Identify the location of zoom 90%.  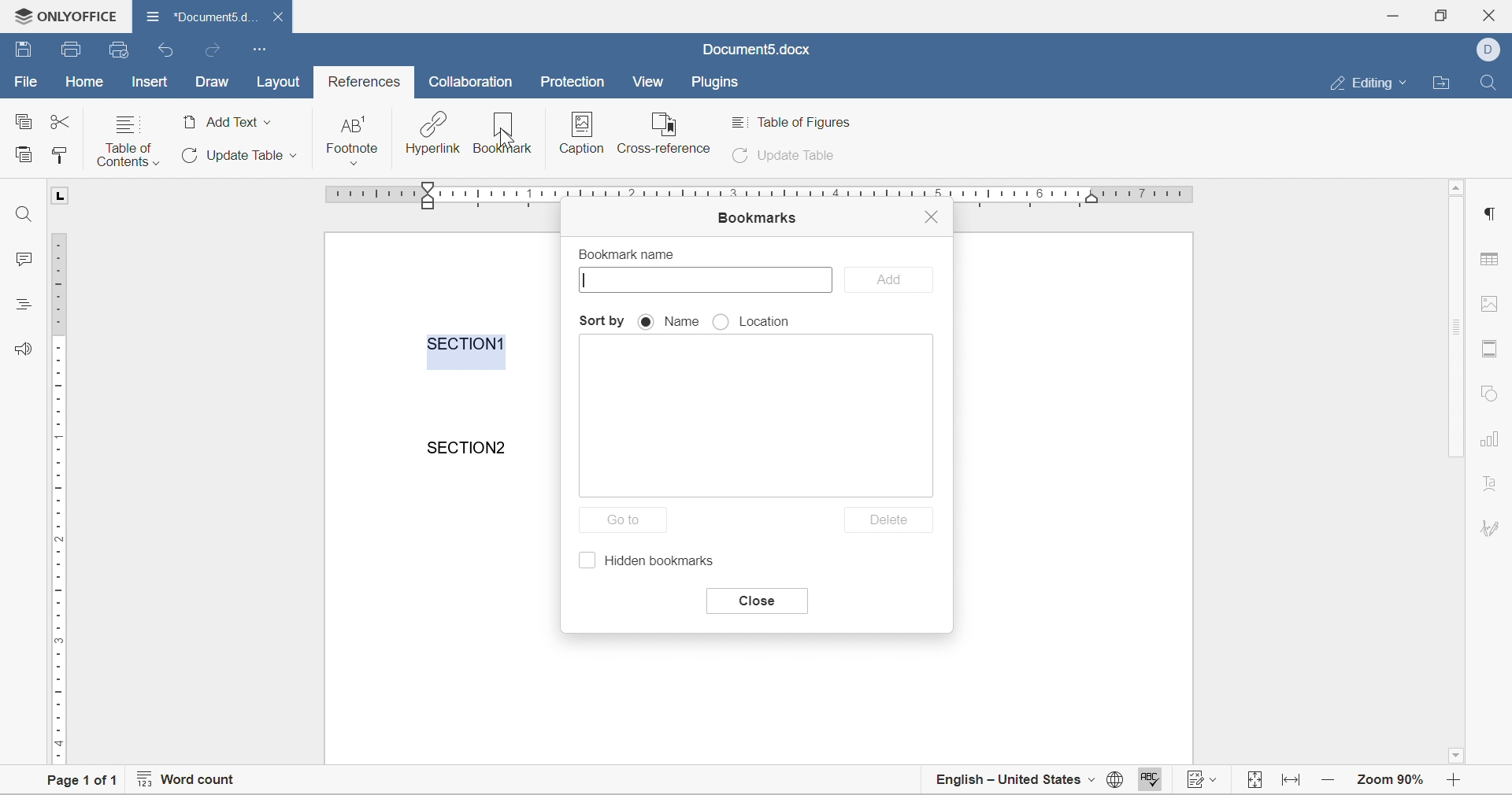
(1390, 778).